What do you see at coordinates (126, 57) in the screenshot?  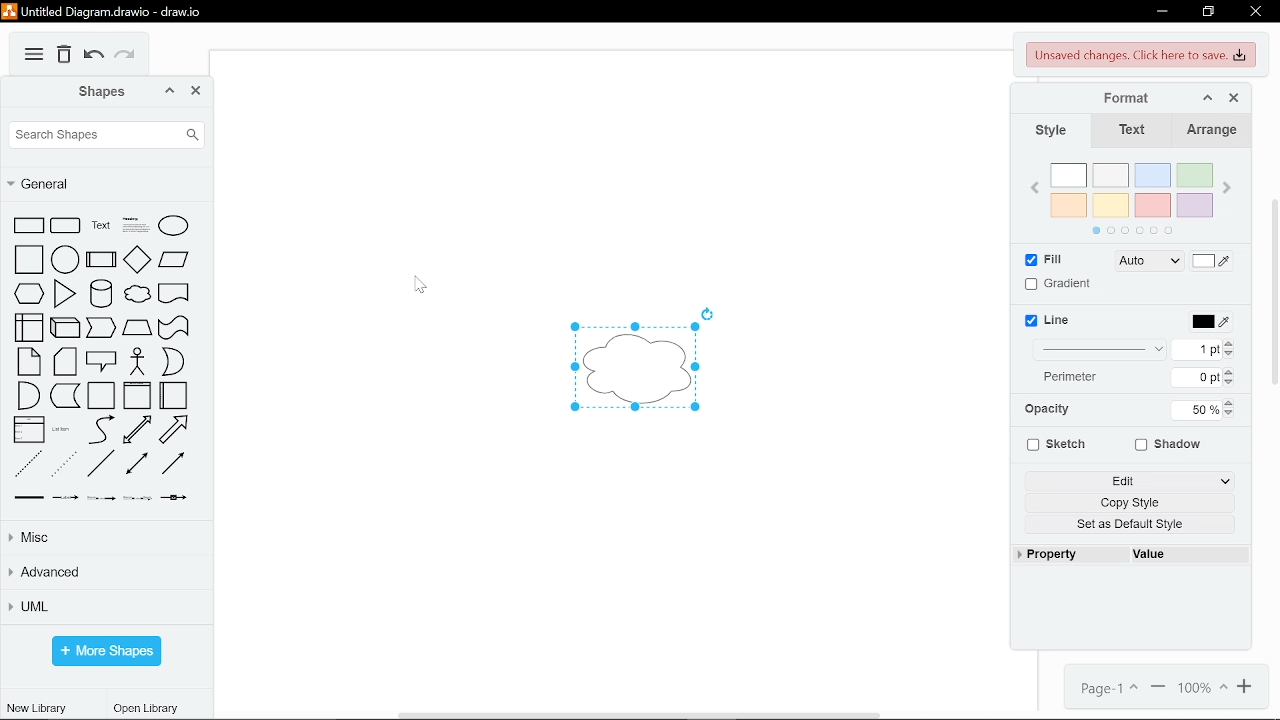 I see `redo` at bounding box center [126, 57].